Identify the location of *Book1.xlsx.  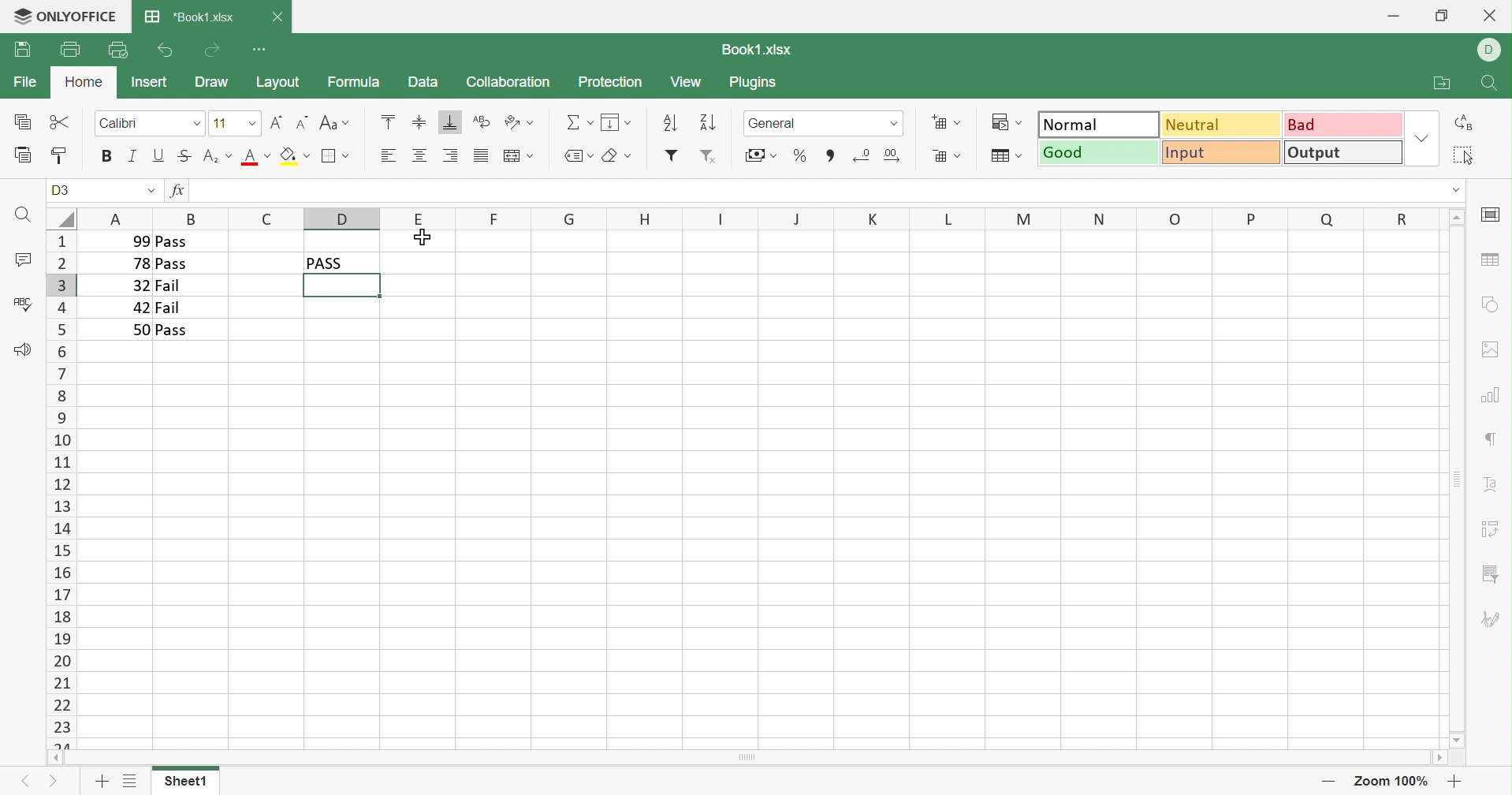
(189, 16).